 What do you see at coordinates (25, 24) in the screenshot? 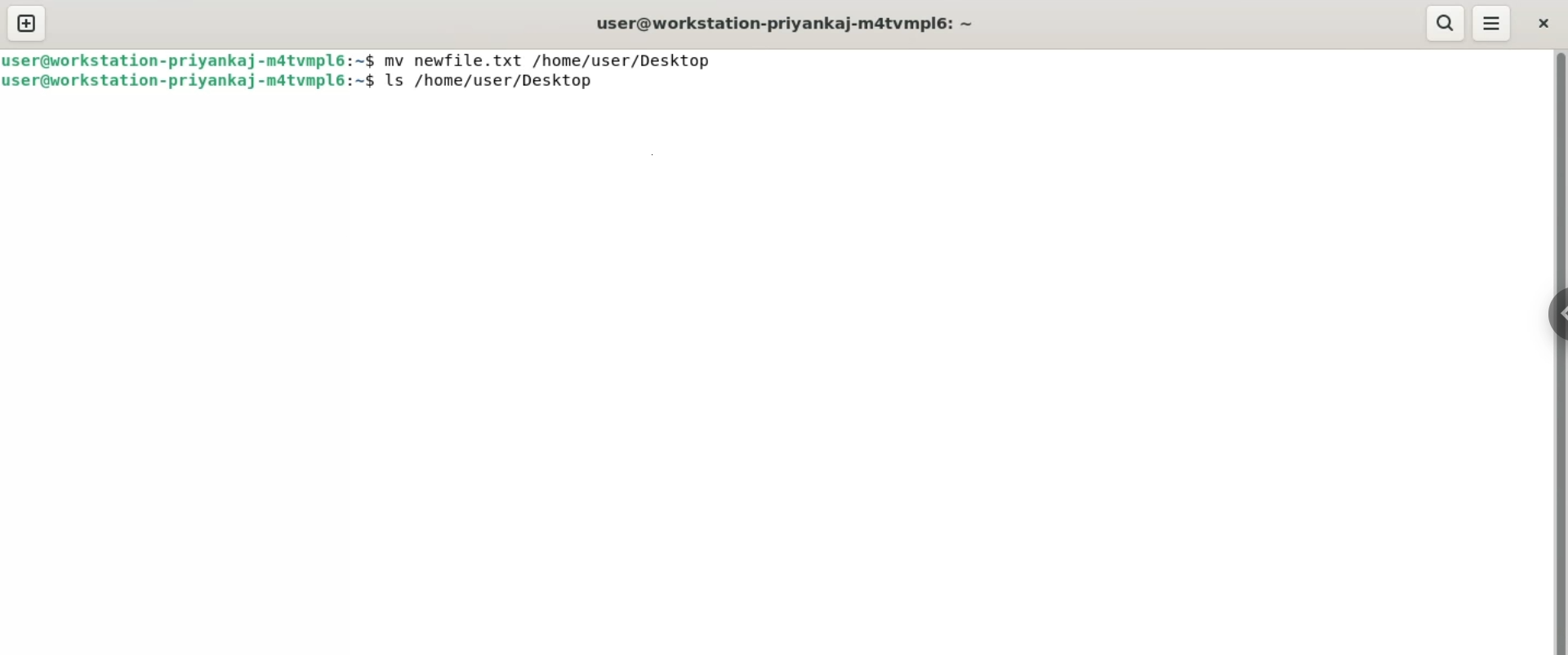
I see `new tab` at bounding box center [25, 24].